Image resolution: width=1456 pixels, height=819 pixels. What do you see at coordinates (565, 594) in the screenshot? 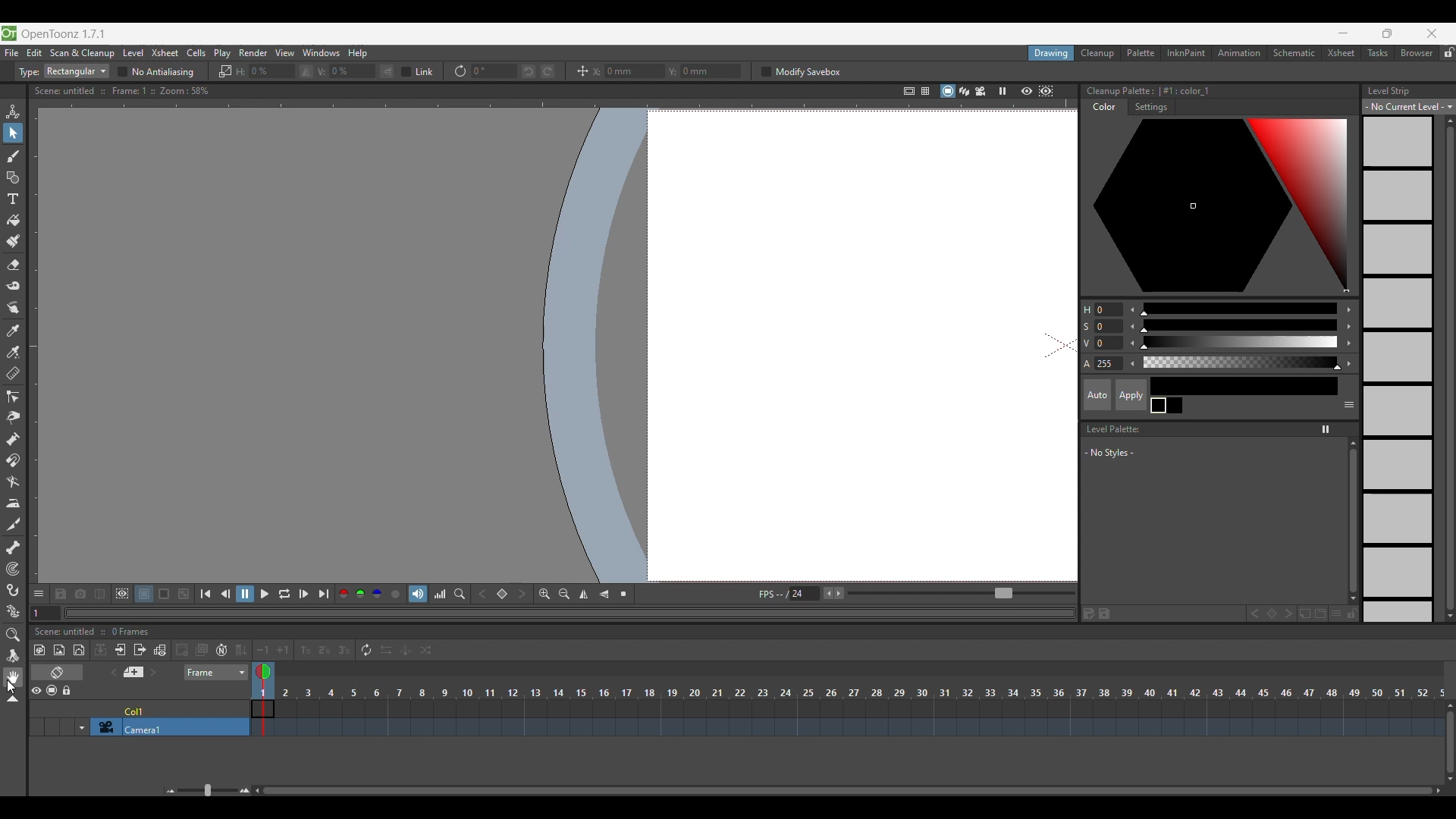
I see `Zoom out` at bounding box center [565, 594].